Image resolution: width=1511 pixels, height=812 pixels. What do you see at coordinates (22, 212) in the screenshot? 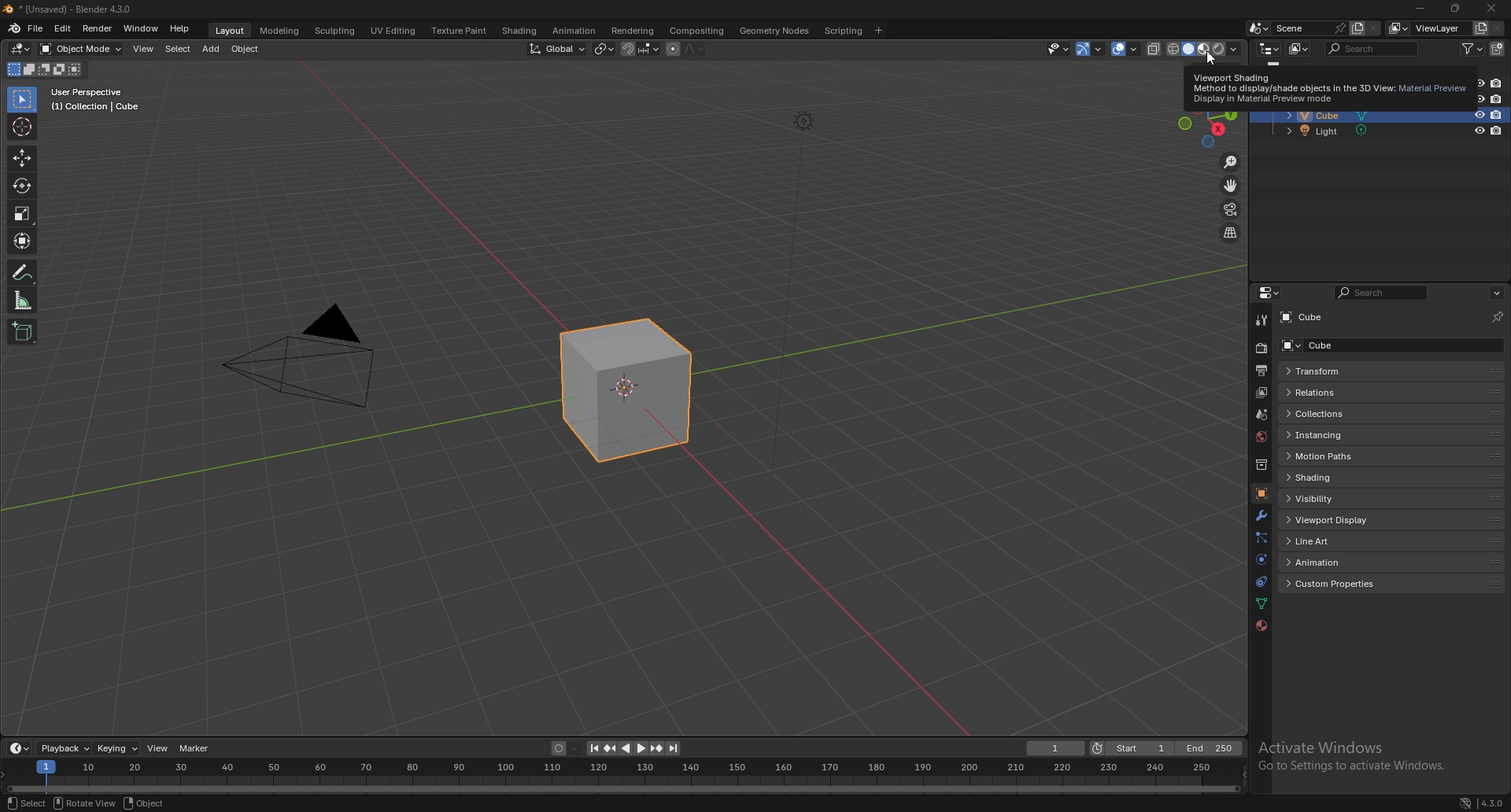
I see `scale` at bounding box center [22, 212].